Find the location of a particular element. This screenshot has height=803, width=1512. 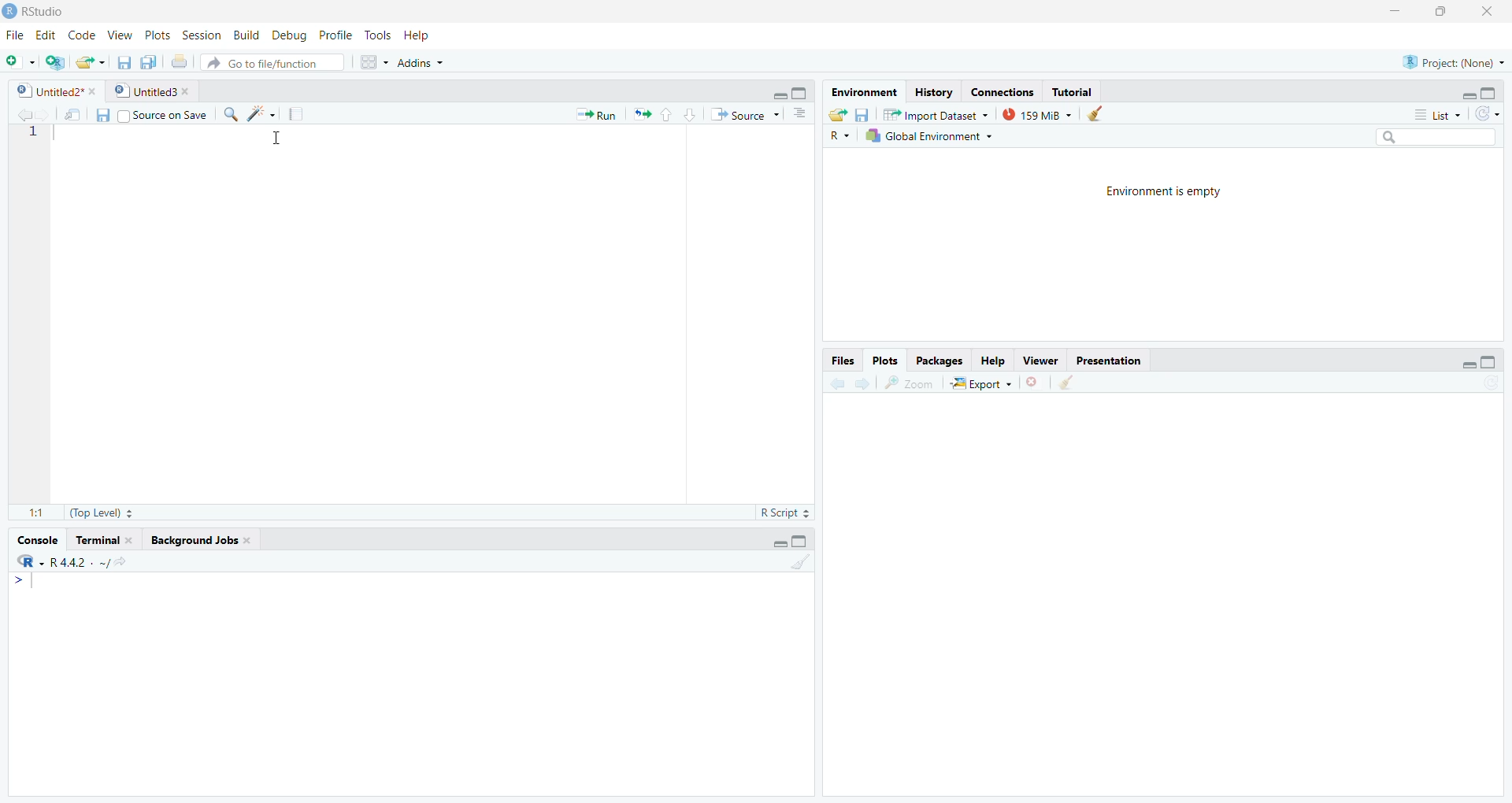

Save is located at coordinates (124, 62).